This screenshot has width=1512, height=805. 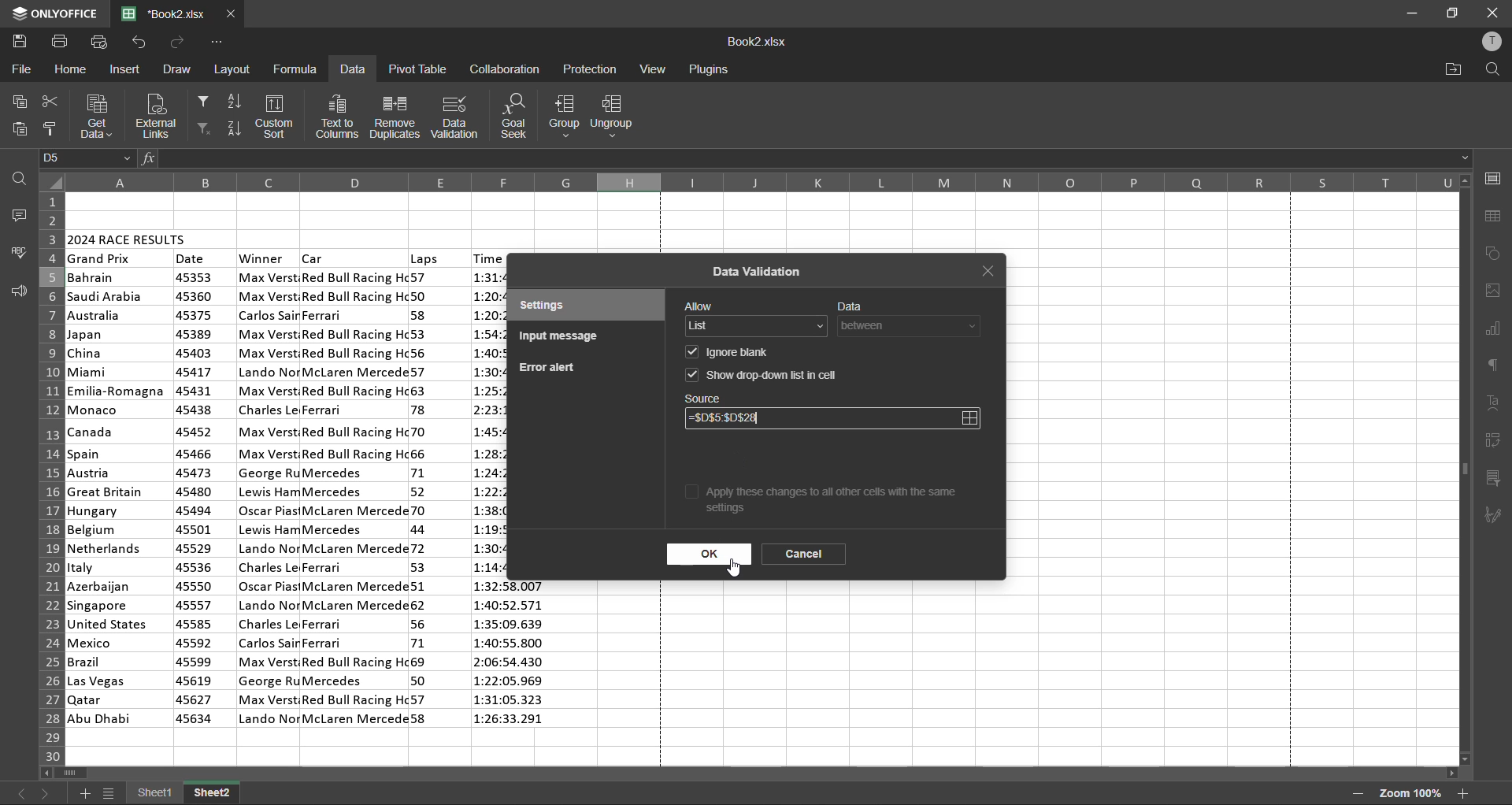 What do you see at coordinates (117, 498) in the screenshot?
I see `country names` at bounding box center [117, 498].